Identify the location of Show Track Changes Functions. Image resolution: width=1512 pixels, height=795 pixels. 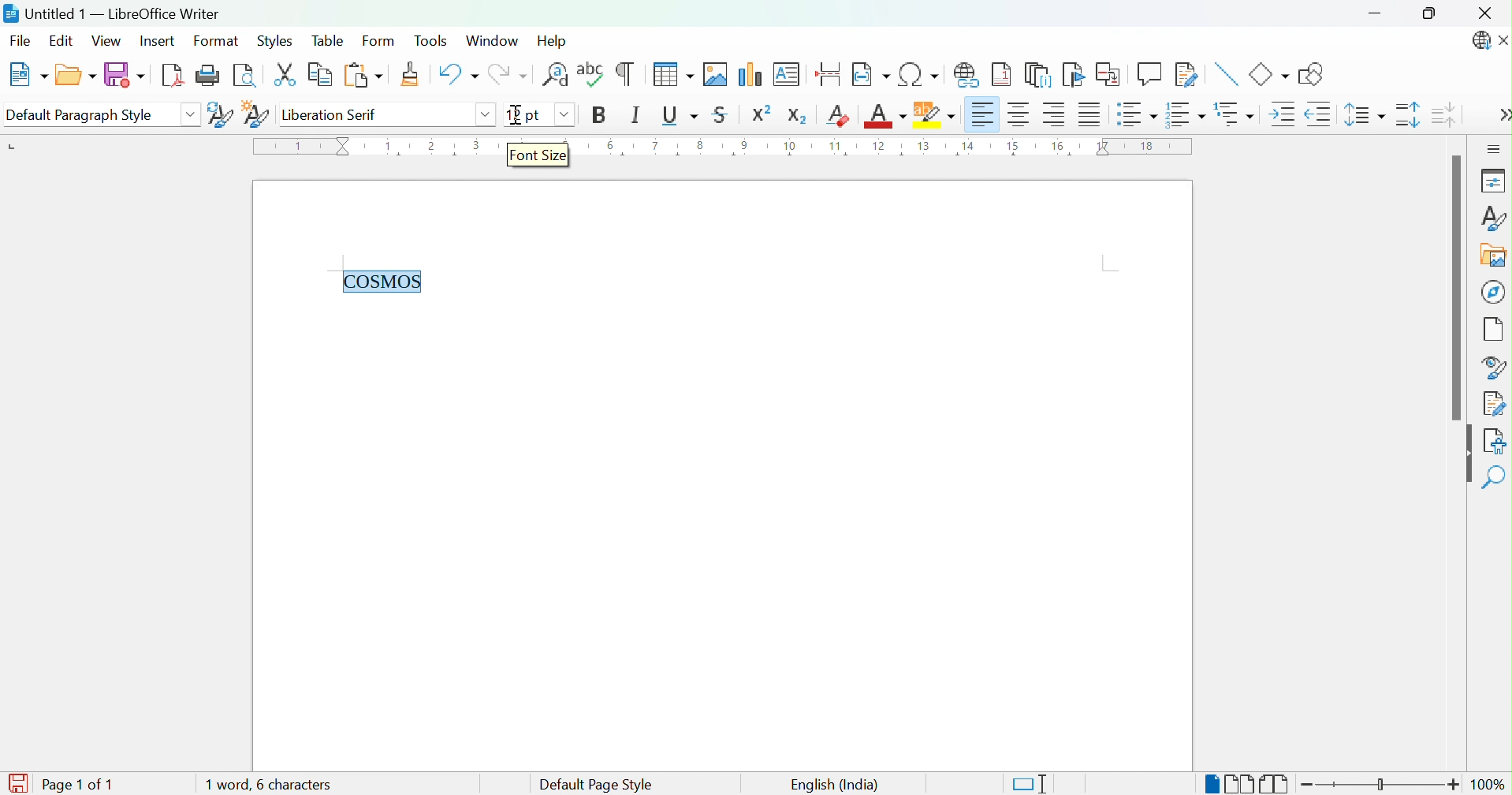
(1187, 75).